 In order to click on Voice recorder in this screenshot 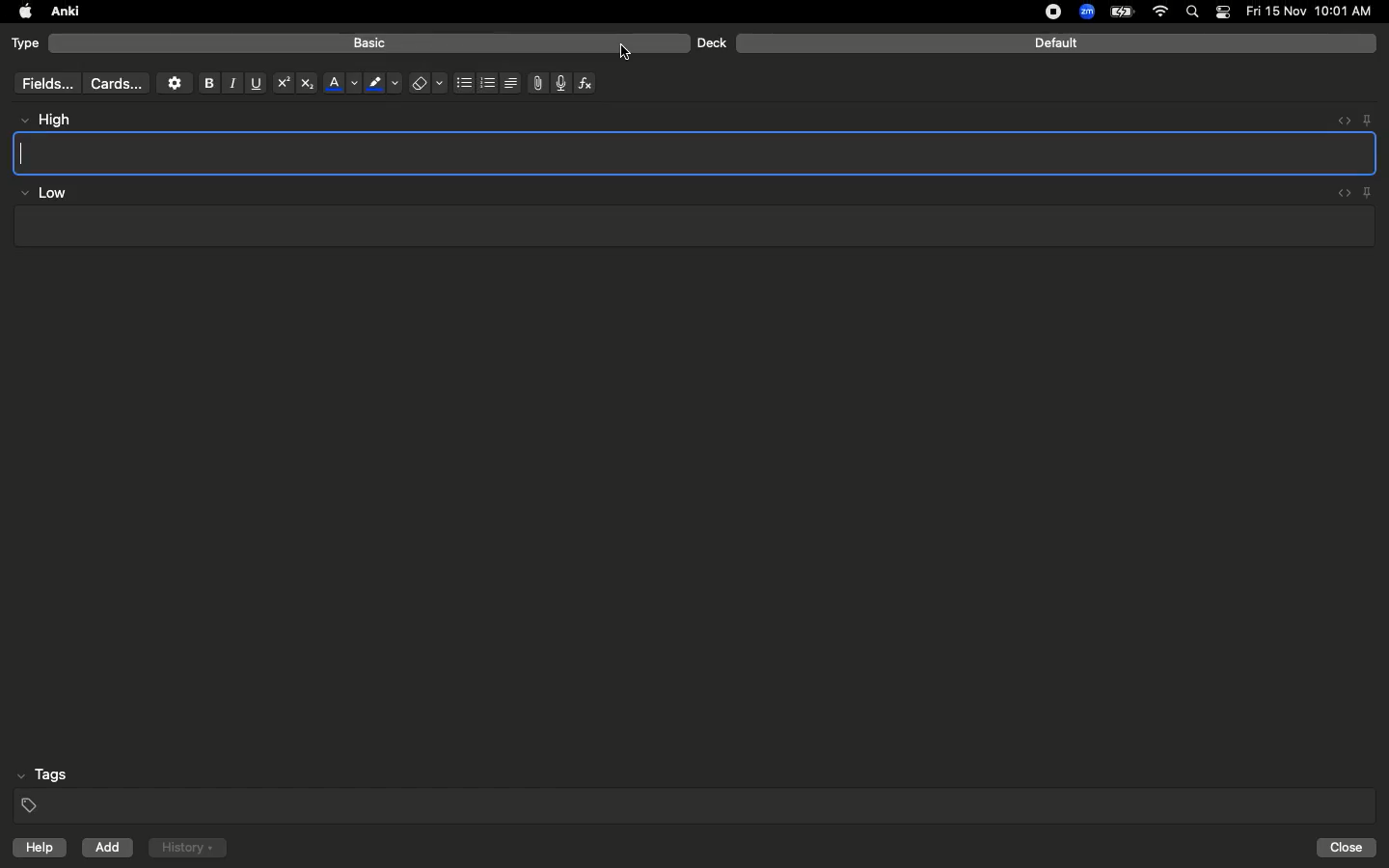, I will do `click(559, 81)`.